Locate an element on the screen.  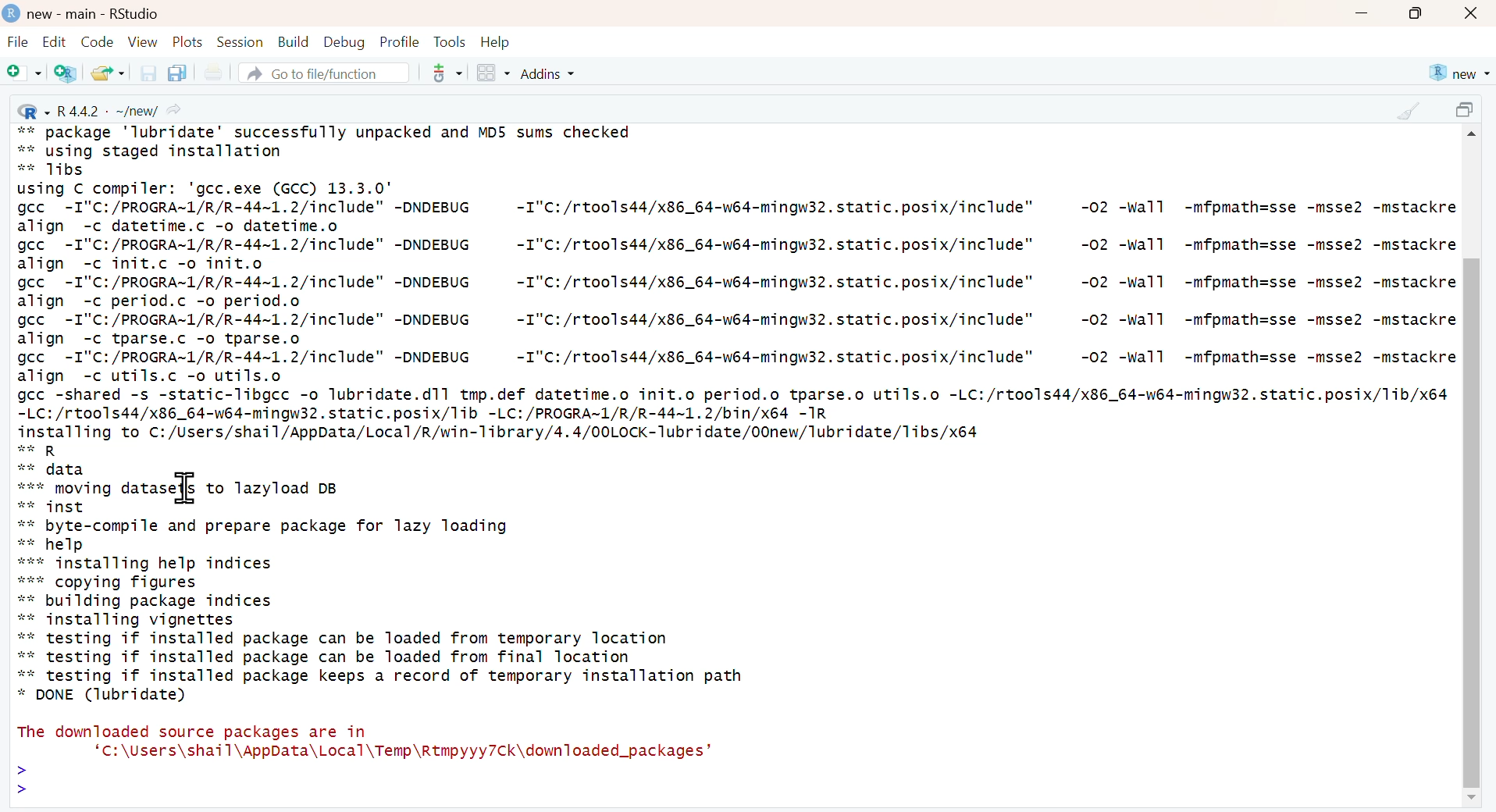
open an existing file is located at coordinates (107, 72).